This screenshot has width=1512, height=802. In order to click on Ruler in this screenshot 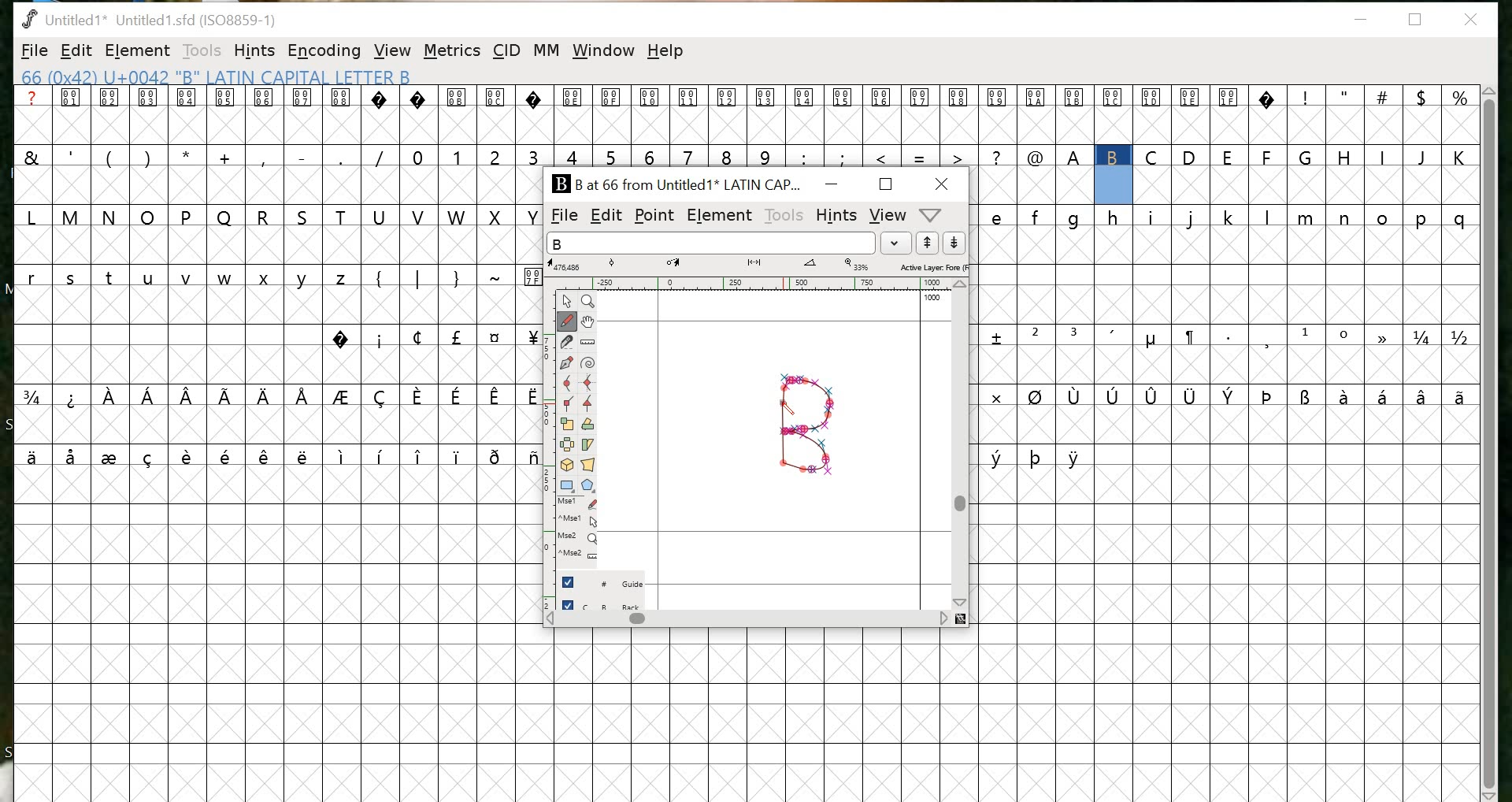, I will do `click(588, 344)`.